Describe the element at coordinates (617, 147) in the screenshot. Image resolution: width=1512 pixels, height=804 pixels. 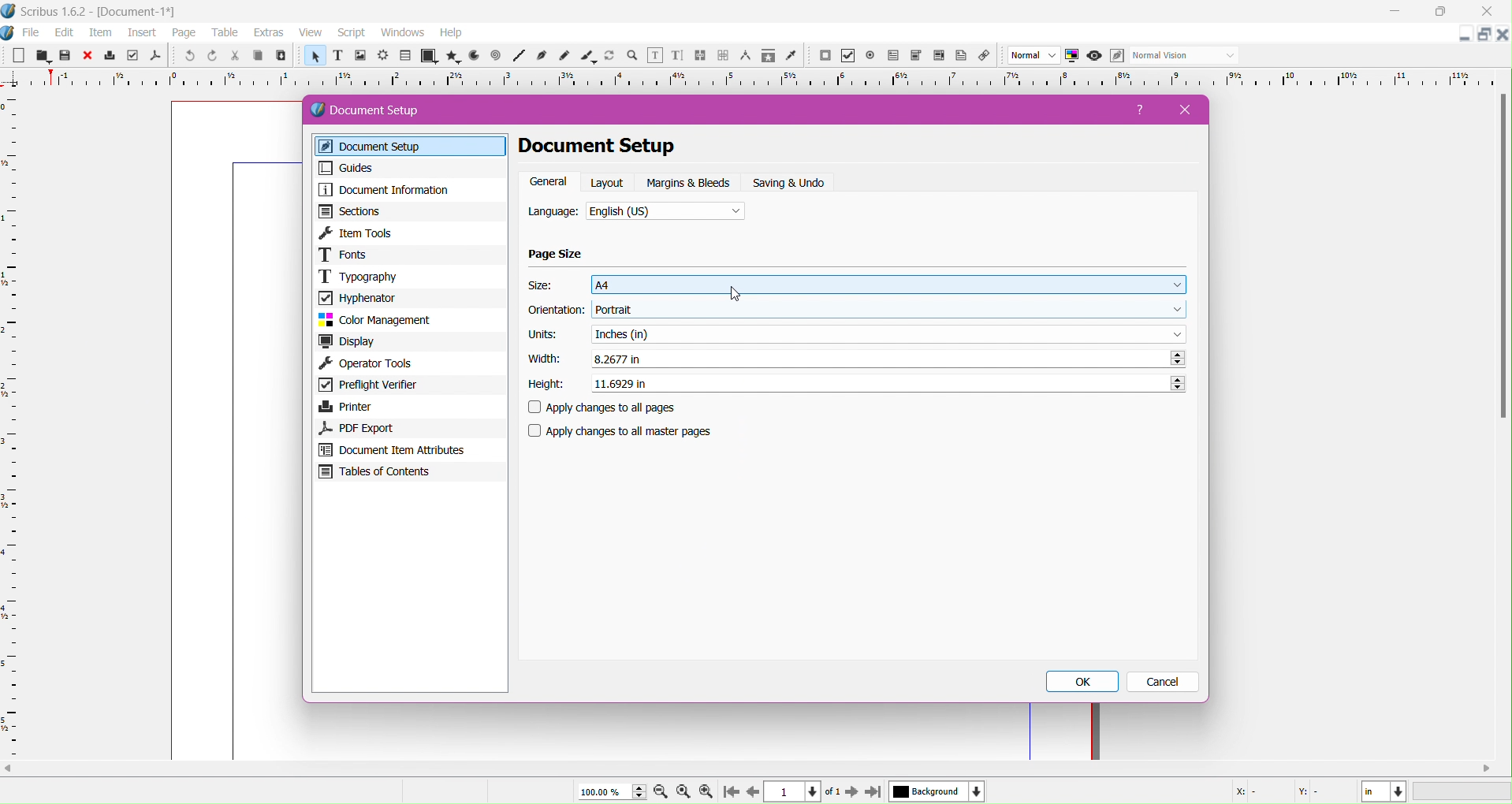
I see `Document Setup` at that location.